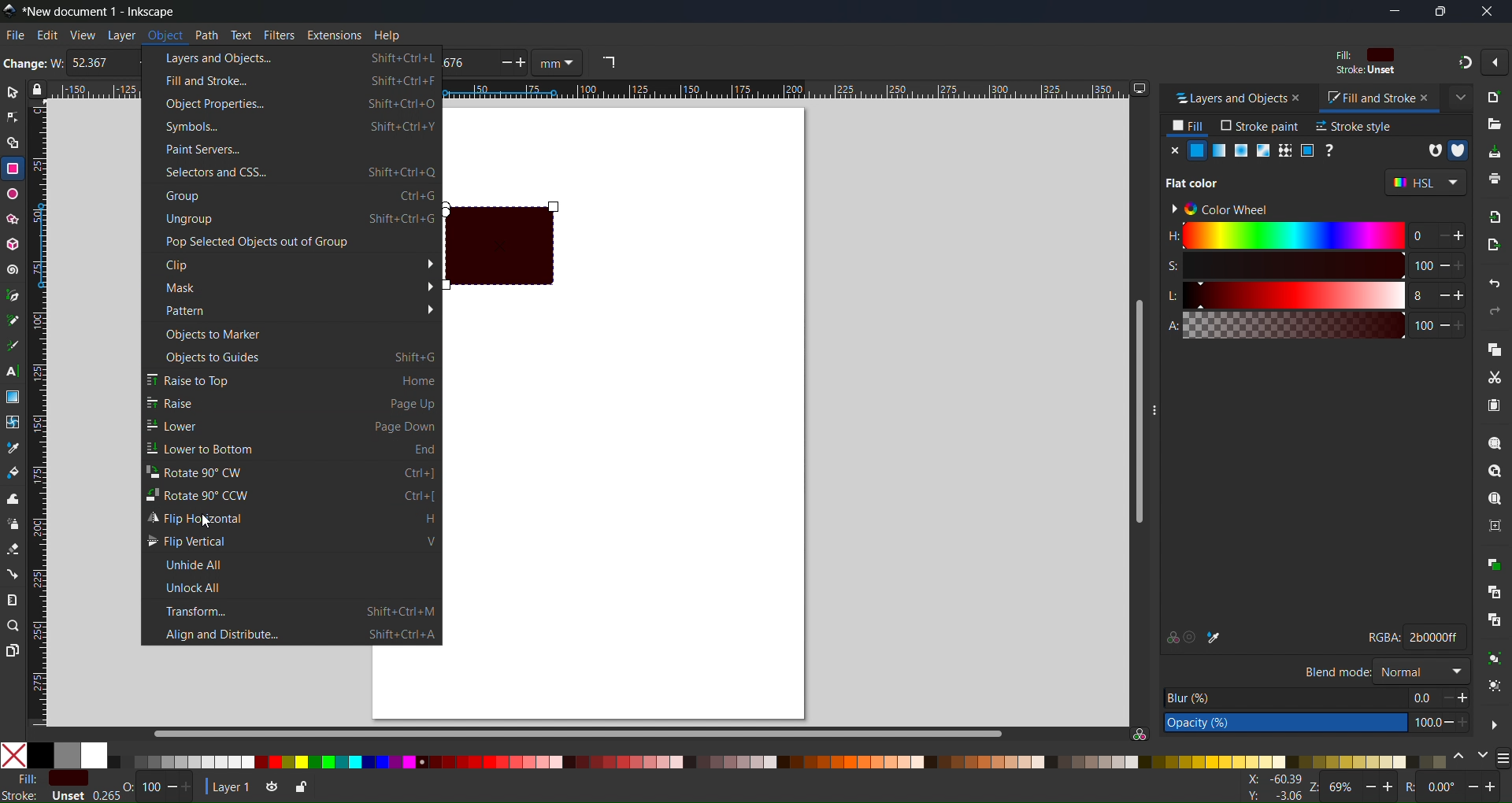 The image size is (1512, 803). I want to click on increase blur, so click(1463, 697).